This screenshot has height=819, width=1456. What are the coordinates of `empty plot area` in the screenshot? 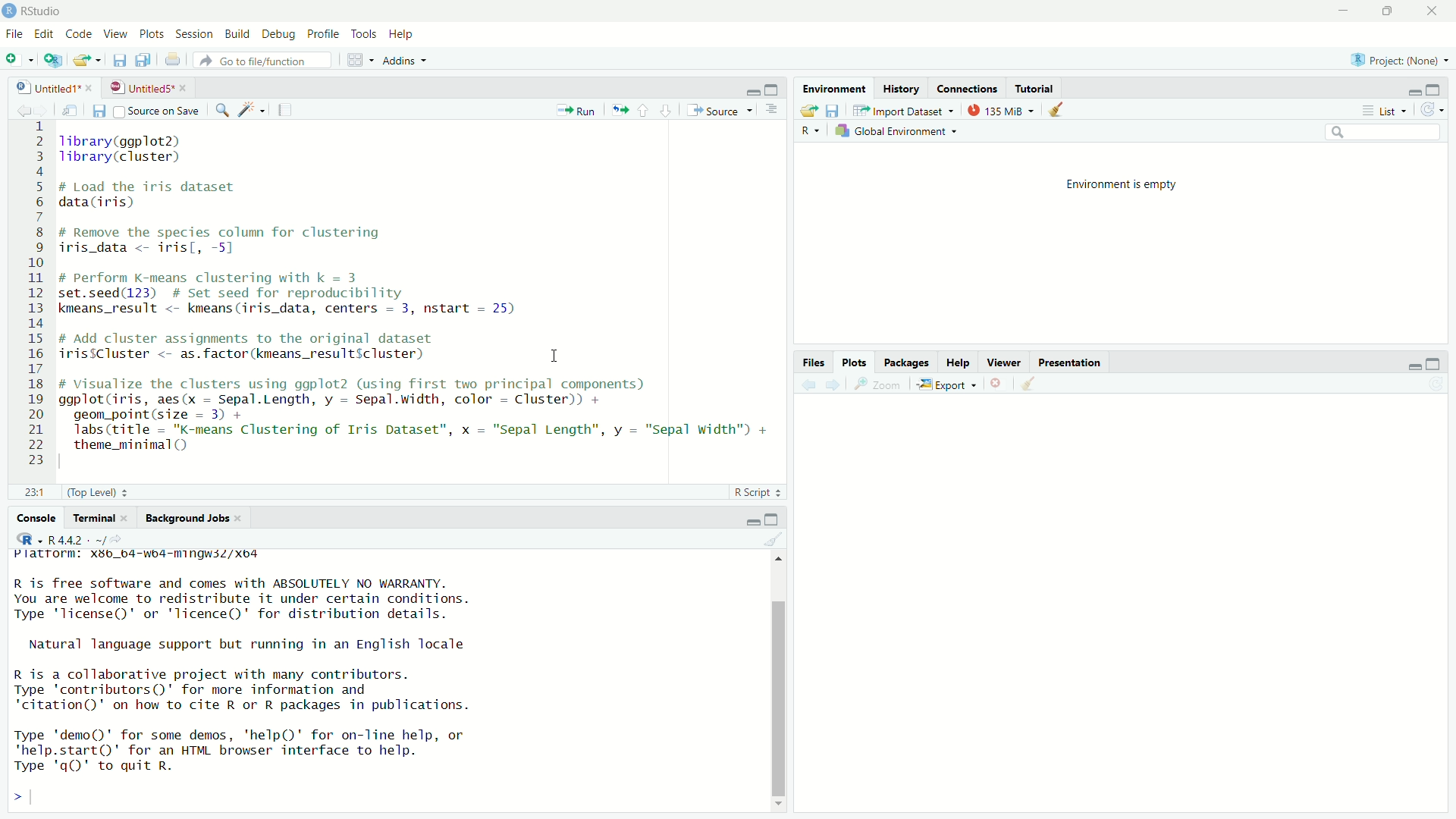 It's located at (1126, 608).